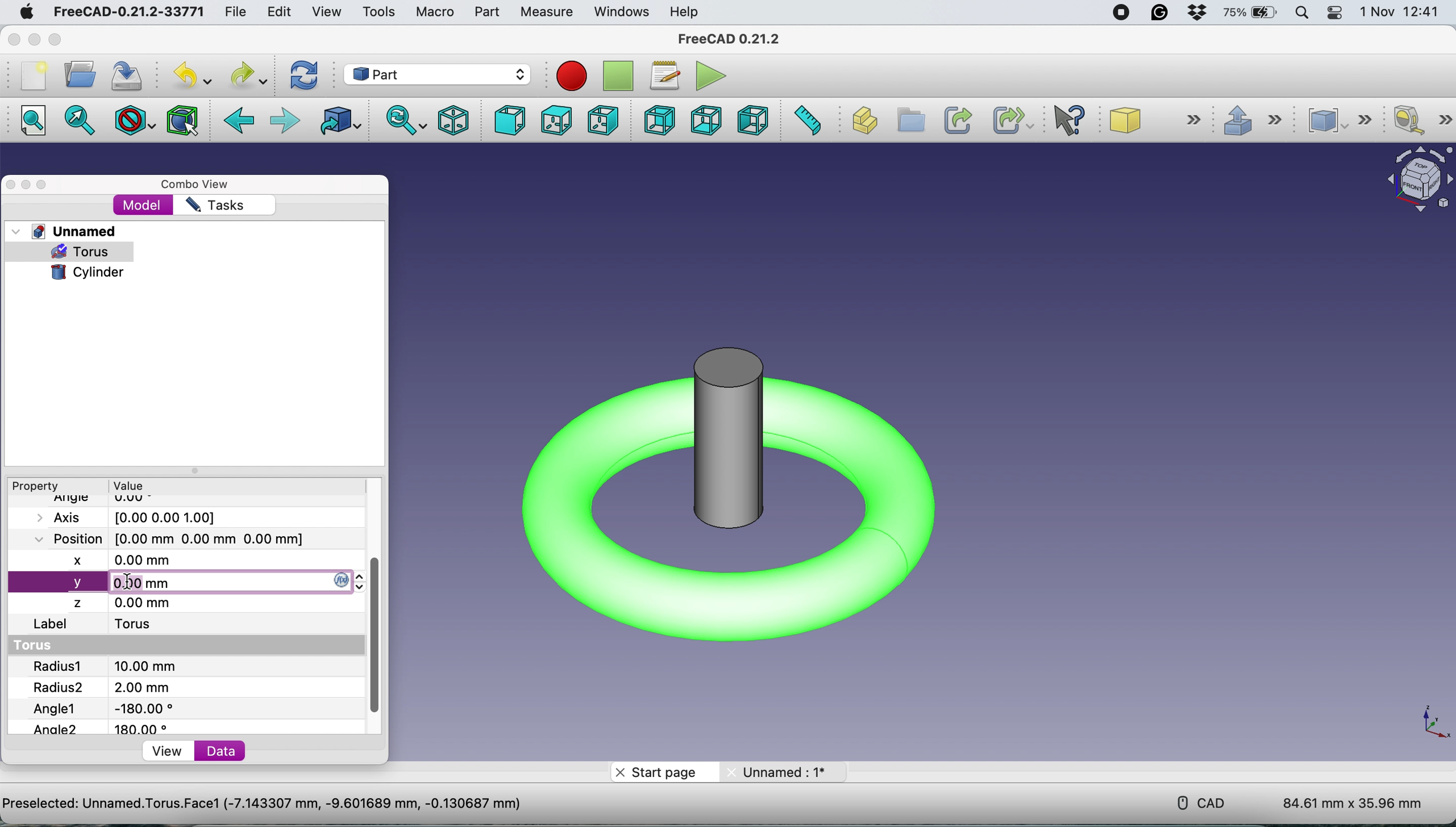 The image size is (1456, 827). I want to click on system logo, so click(27, 14).